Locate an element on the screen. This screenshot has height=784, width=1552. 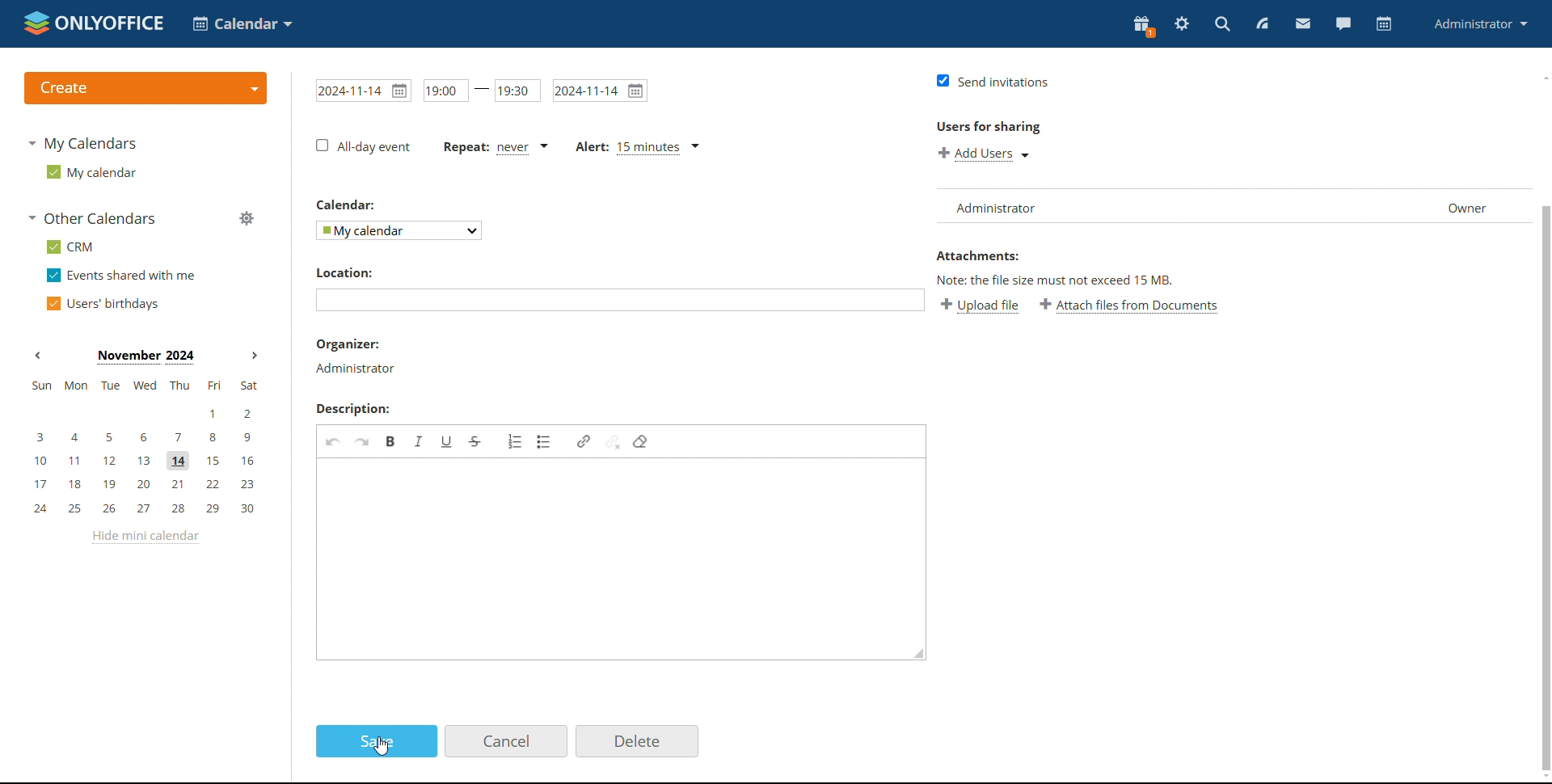
bold is located at coordinates (389, 439).